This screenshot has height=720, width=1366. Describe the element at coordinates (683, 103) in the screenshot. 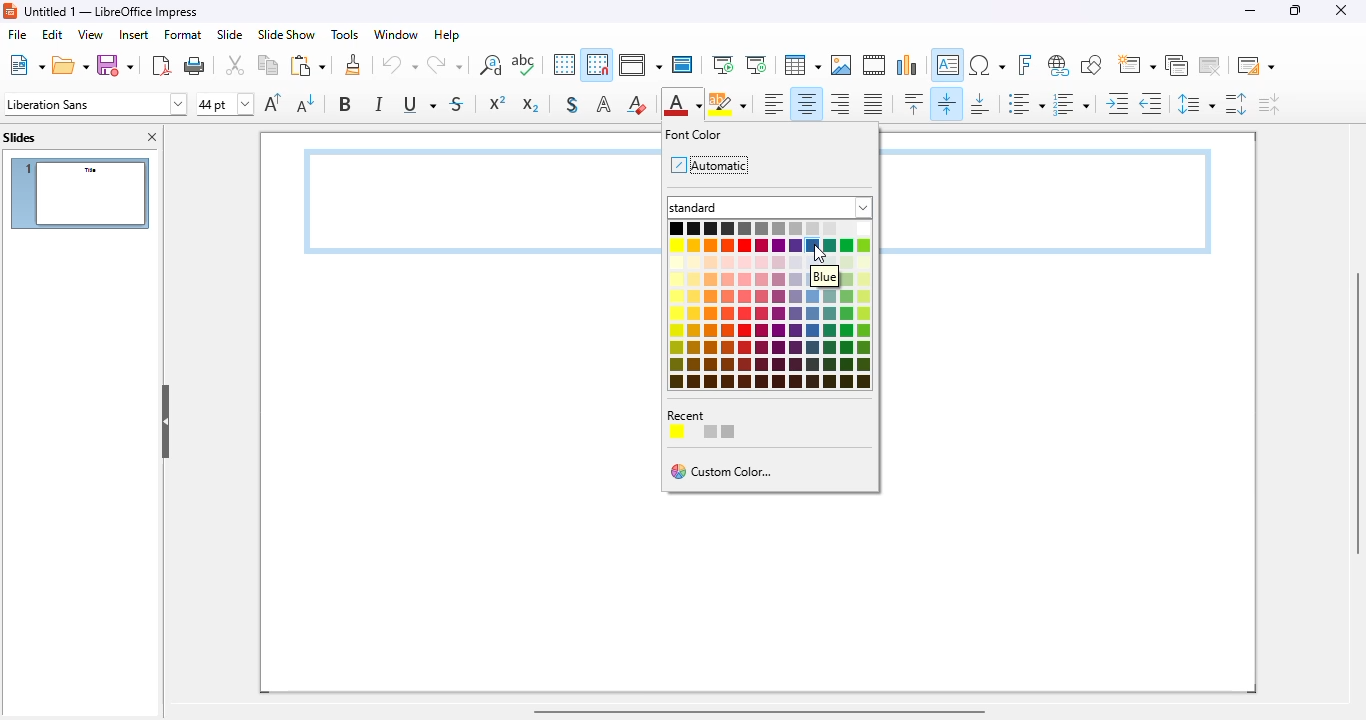

I see `font color` at that location.